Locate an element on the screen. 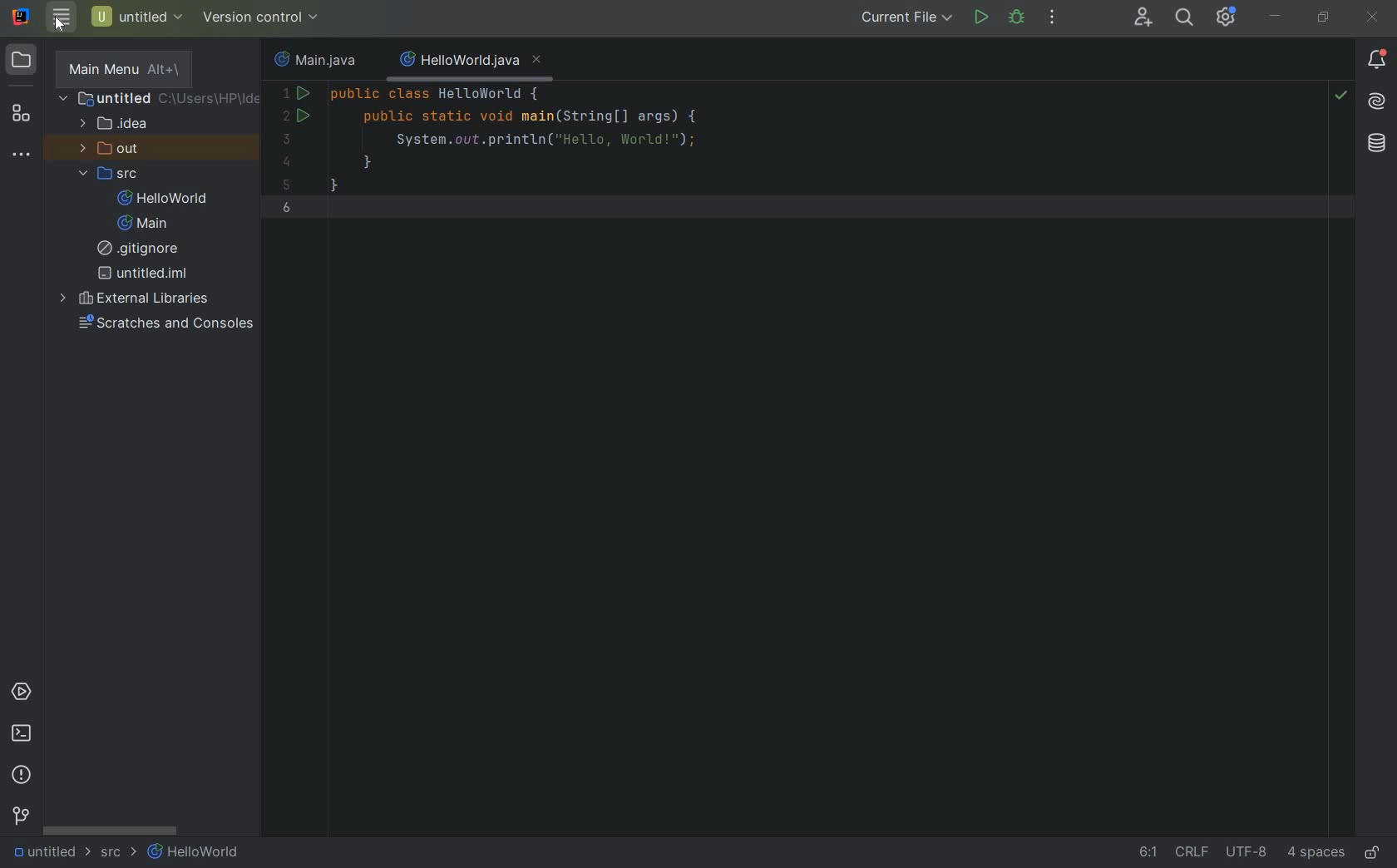 This screenshot has width=1397, height=868. UNTITLED.iml is located at coordinates (143, 274).